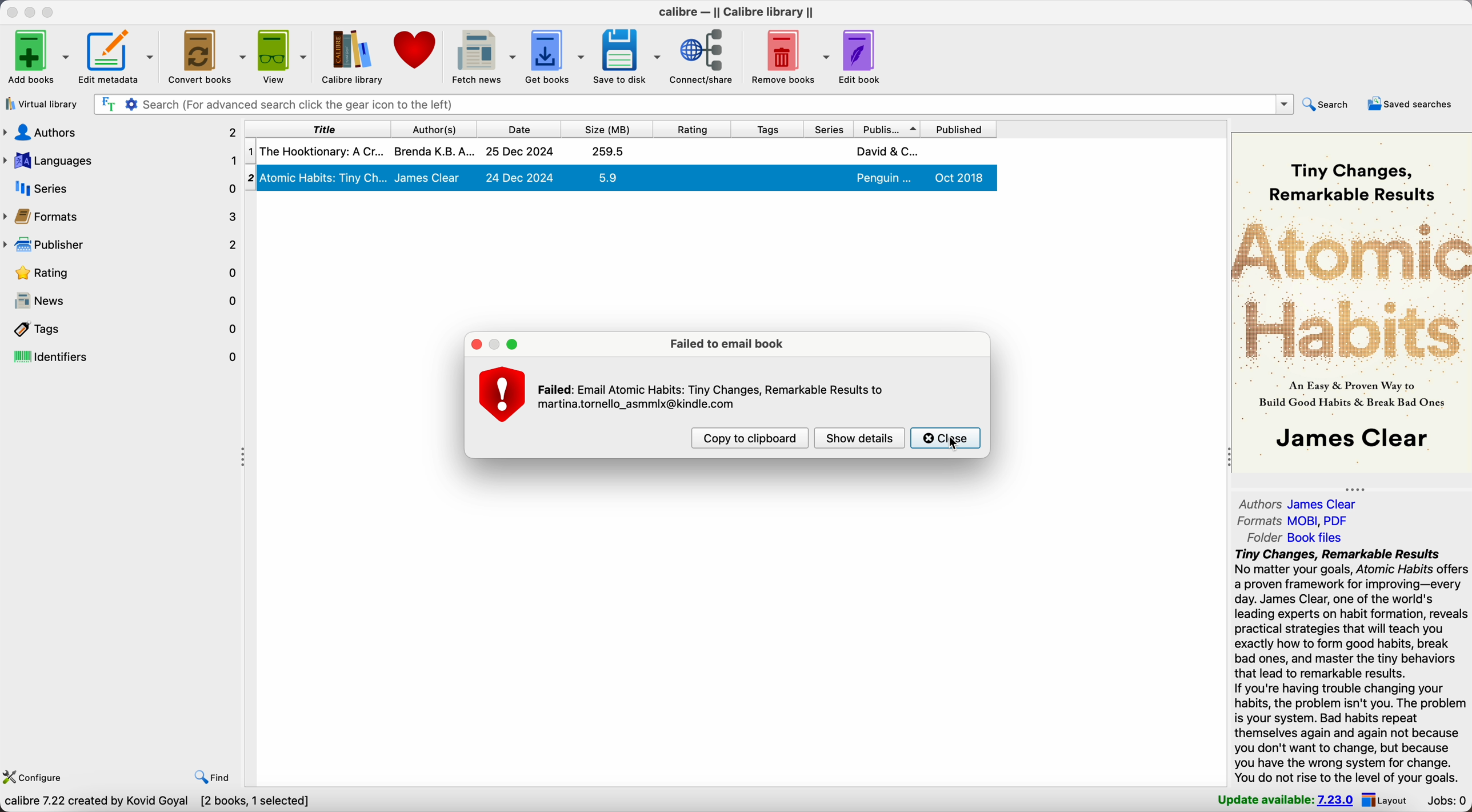 Image resolution: width=1472 pixels, height=812 pixels. I want to click on authors, so click(1301, 503).